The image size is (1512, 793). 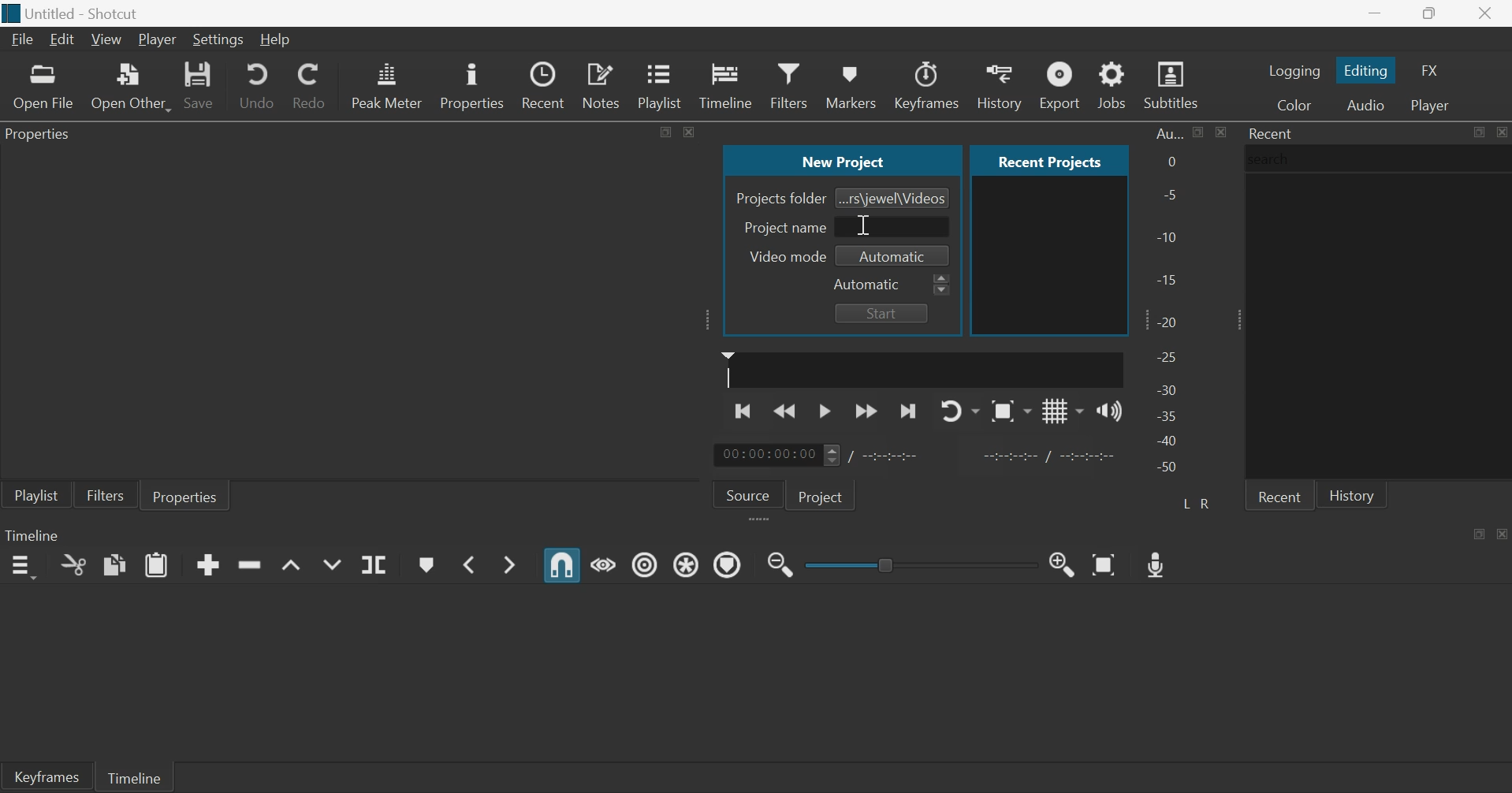 I want to click on create/edit marker, so click(x=426, y=565).